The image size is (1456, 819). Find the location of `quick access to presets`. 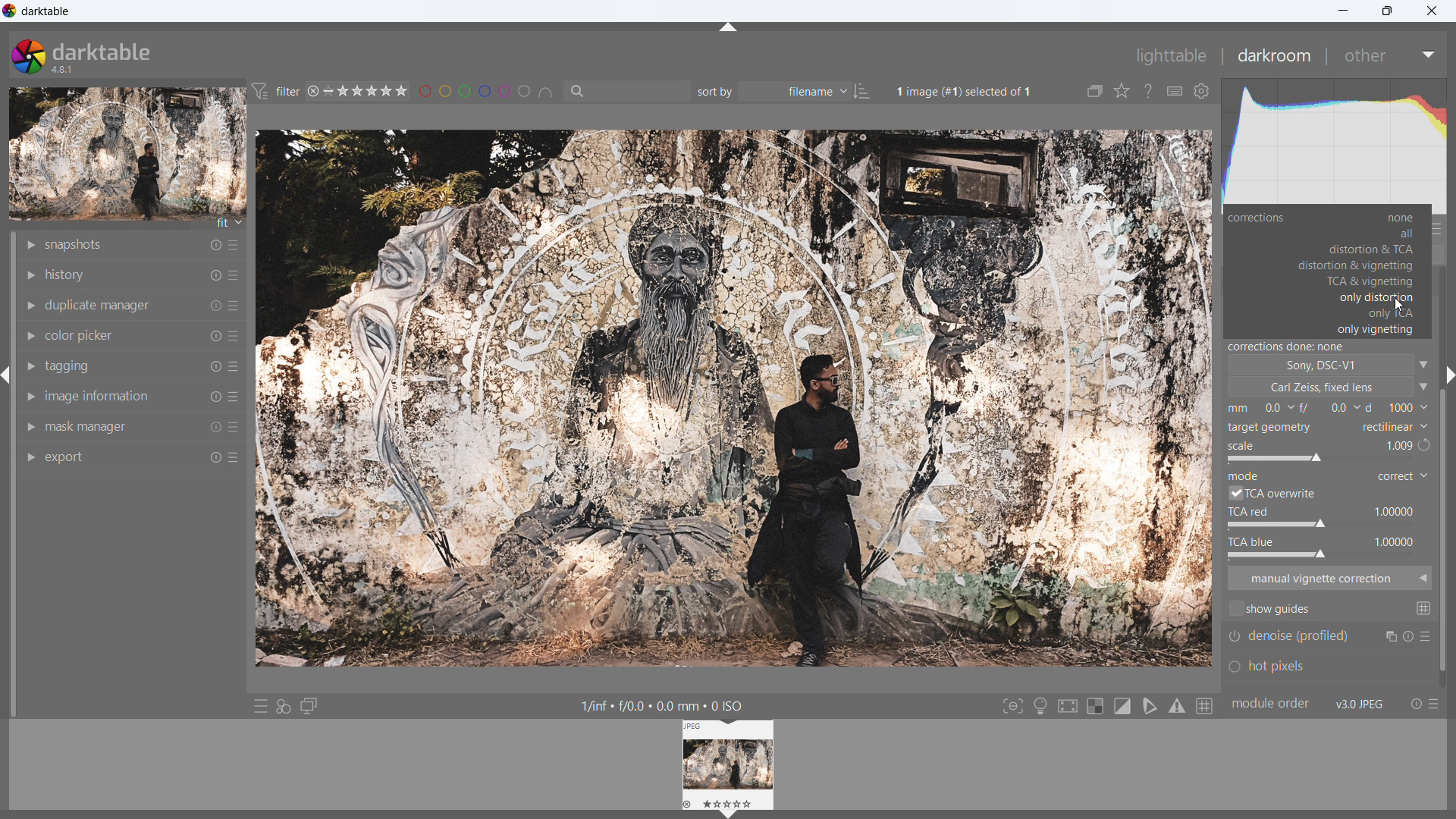

quick access to presets is located at coordinates (260, 706).